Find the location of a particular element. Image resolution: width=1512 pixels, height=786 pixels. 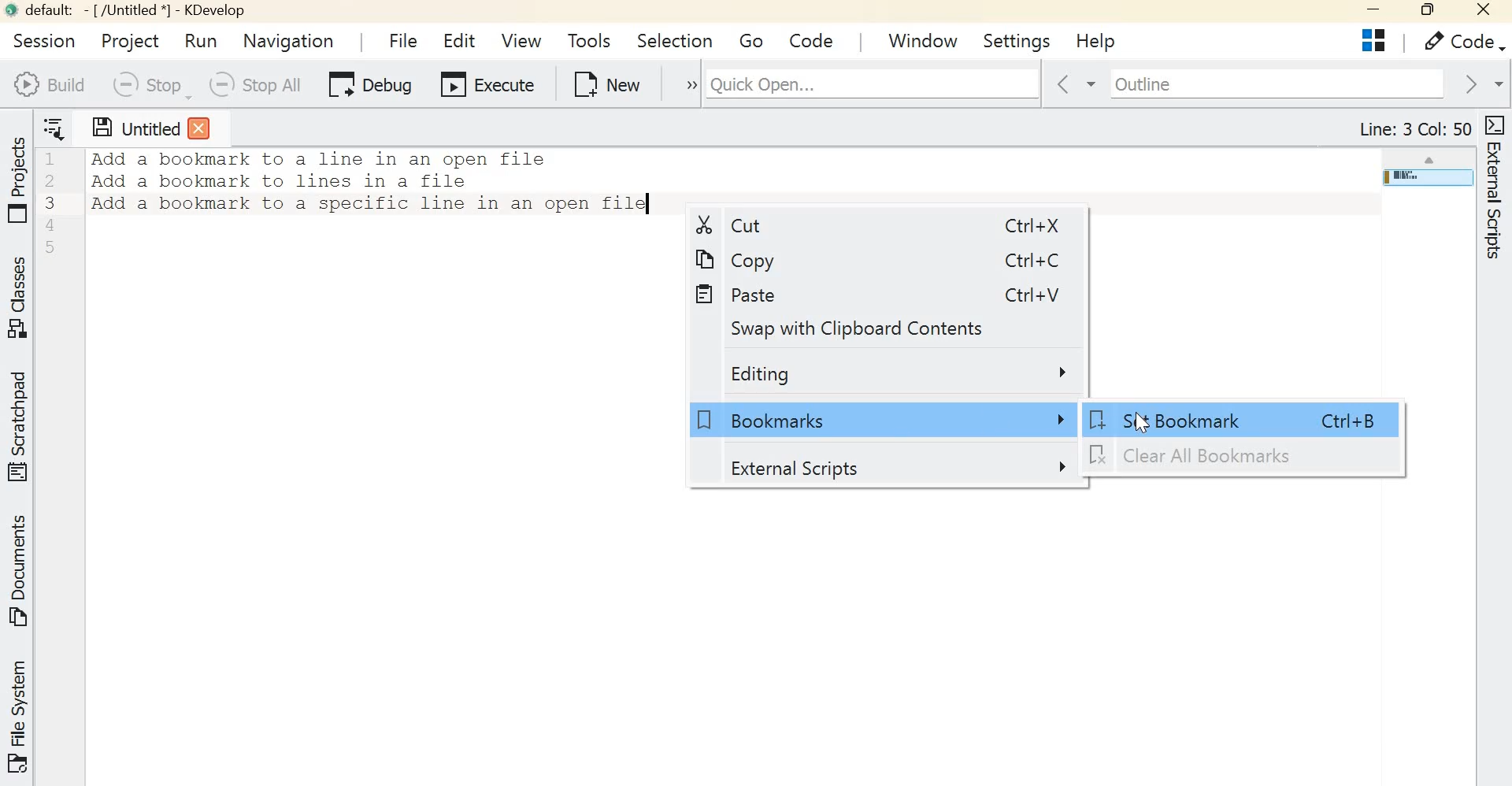

Line numbers is located at coordinates (54, 202).